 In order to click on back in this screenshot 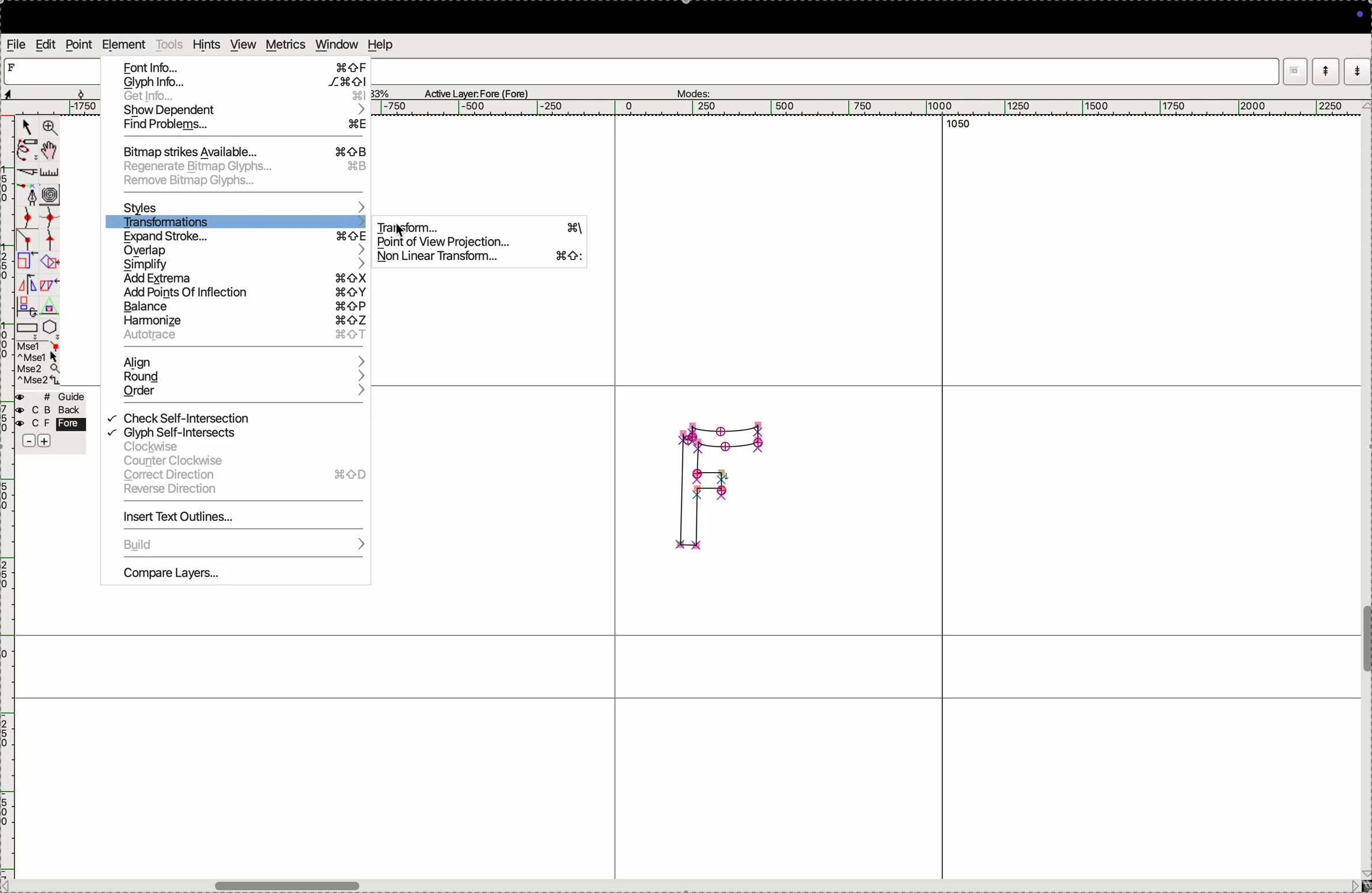, I will do `click(47, 411)`.